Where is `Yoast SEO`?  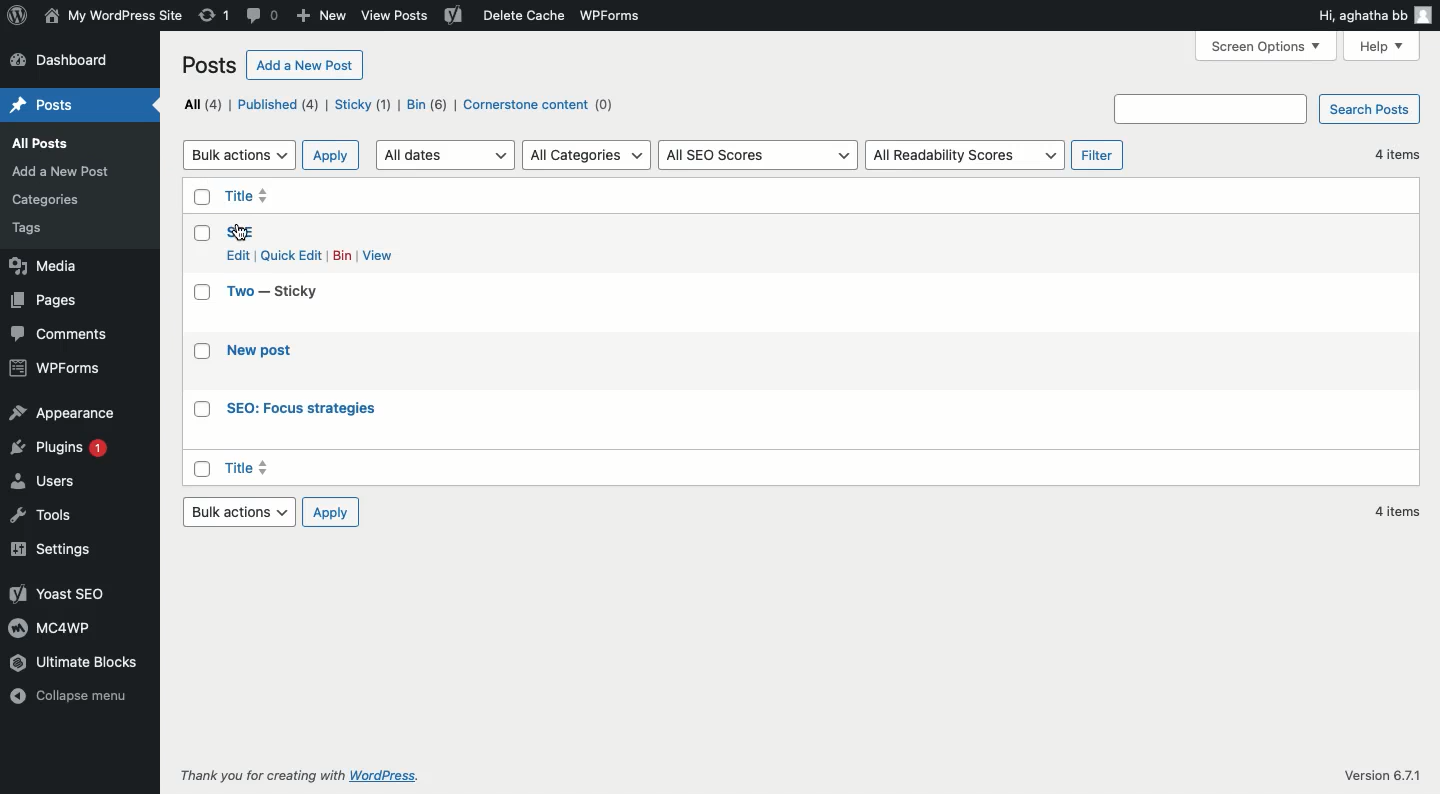
Yoast SEO is located at coordinates (58, 596).